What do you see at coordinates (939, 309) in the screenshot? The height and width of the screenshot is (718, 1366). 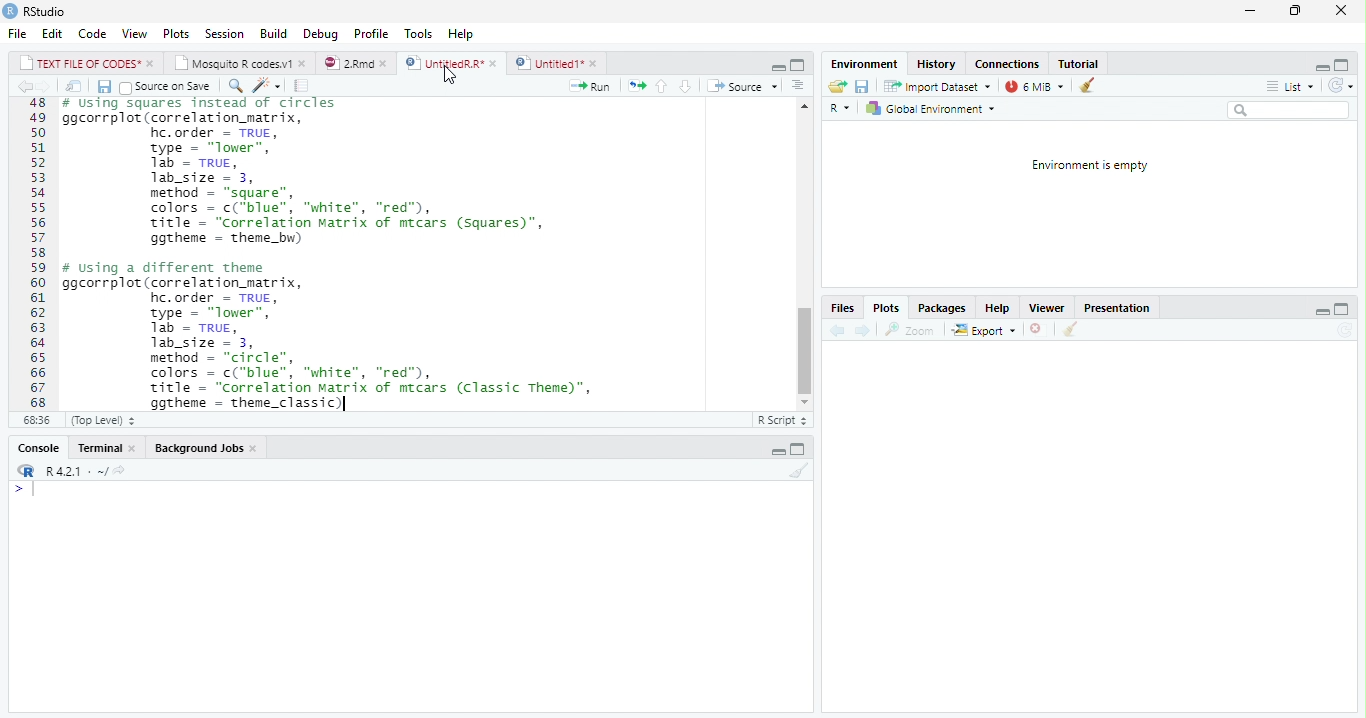 I see `Packages` at bounding box center [939, 309].